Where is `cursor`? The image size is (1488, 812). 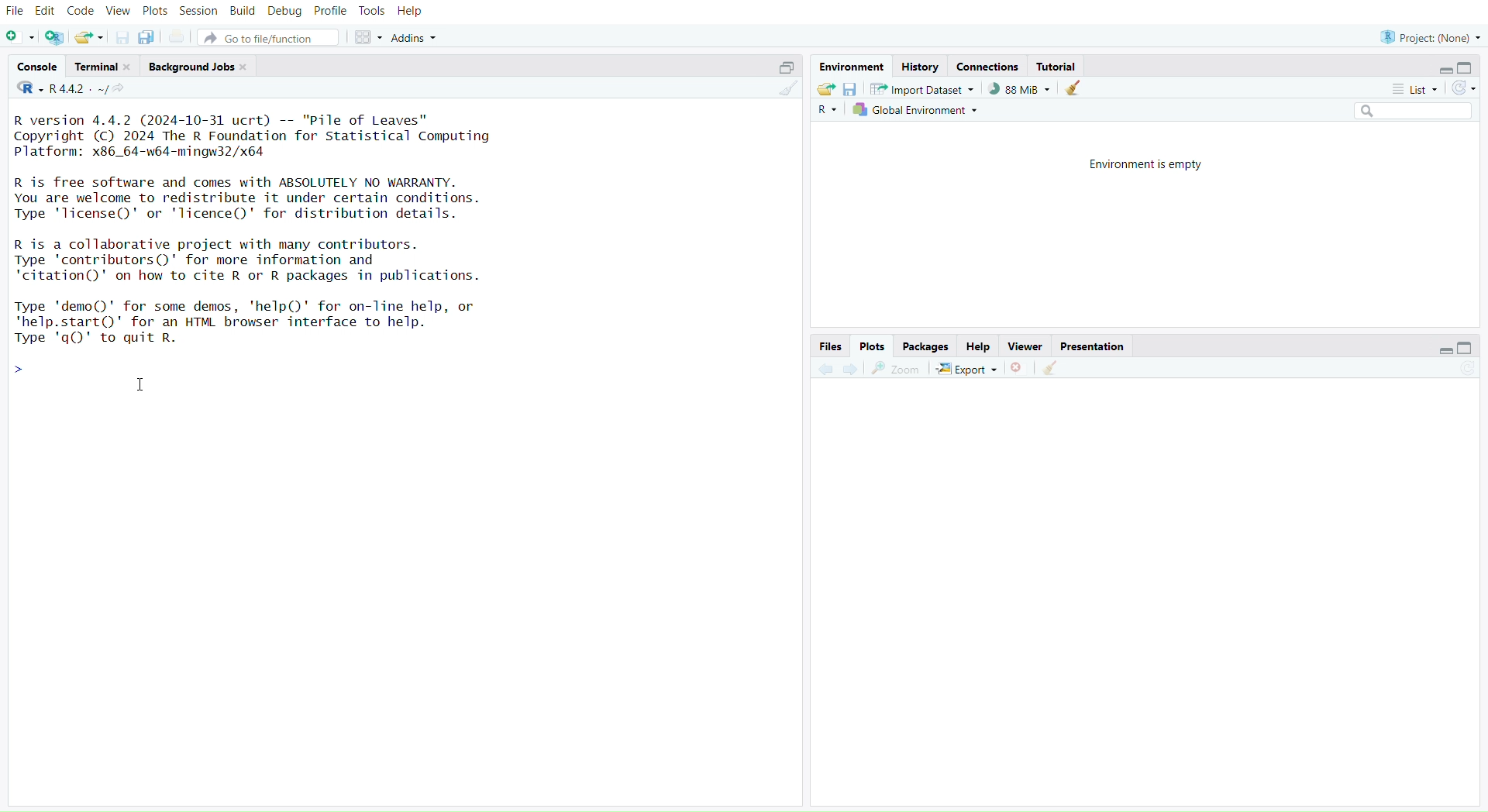 cursor is located at coordinates (143, 387).